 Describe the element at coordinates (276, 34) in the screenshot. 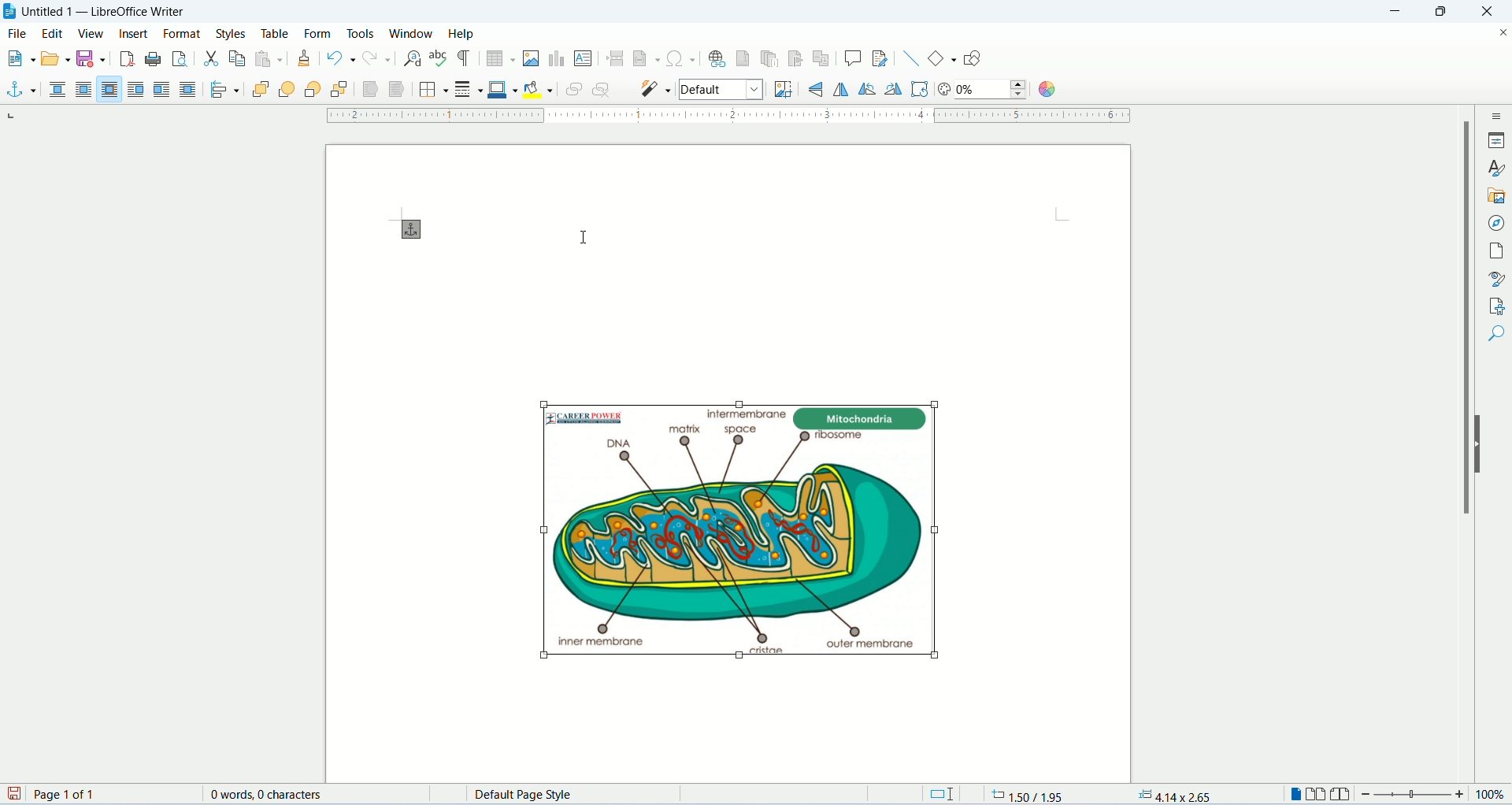

I see `table` at that location.